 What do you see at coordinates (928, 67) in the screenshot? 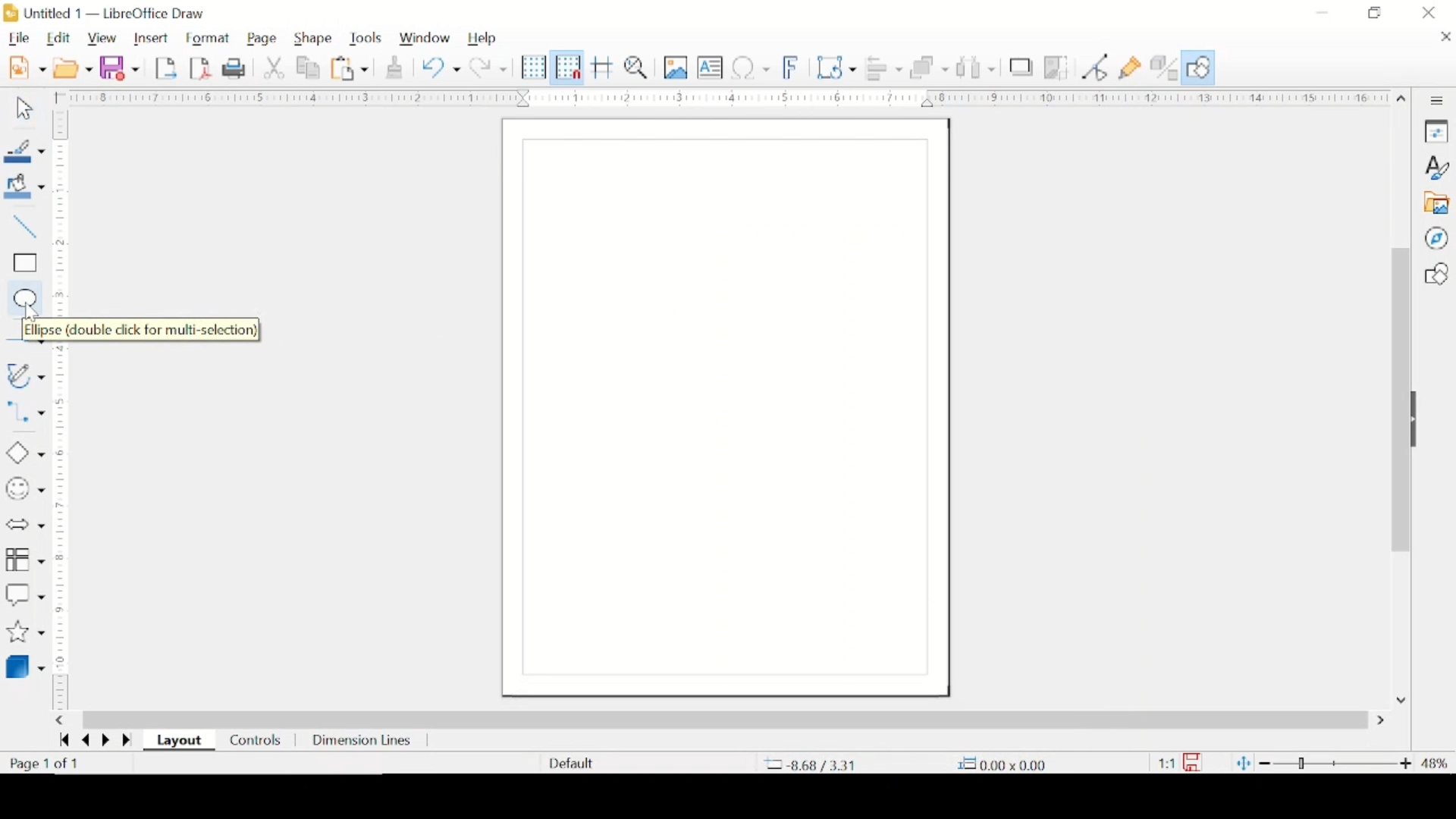
I see `arrange` at bounding box center [928, 67].